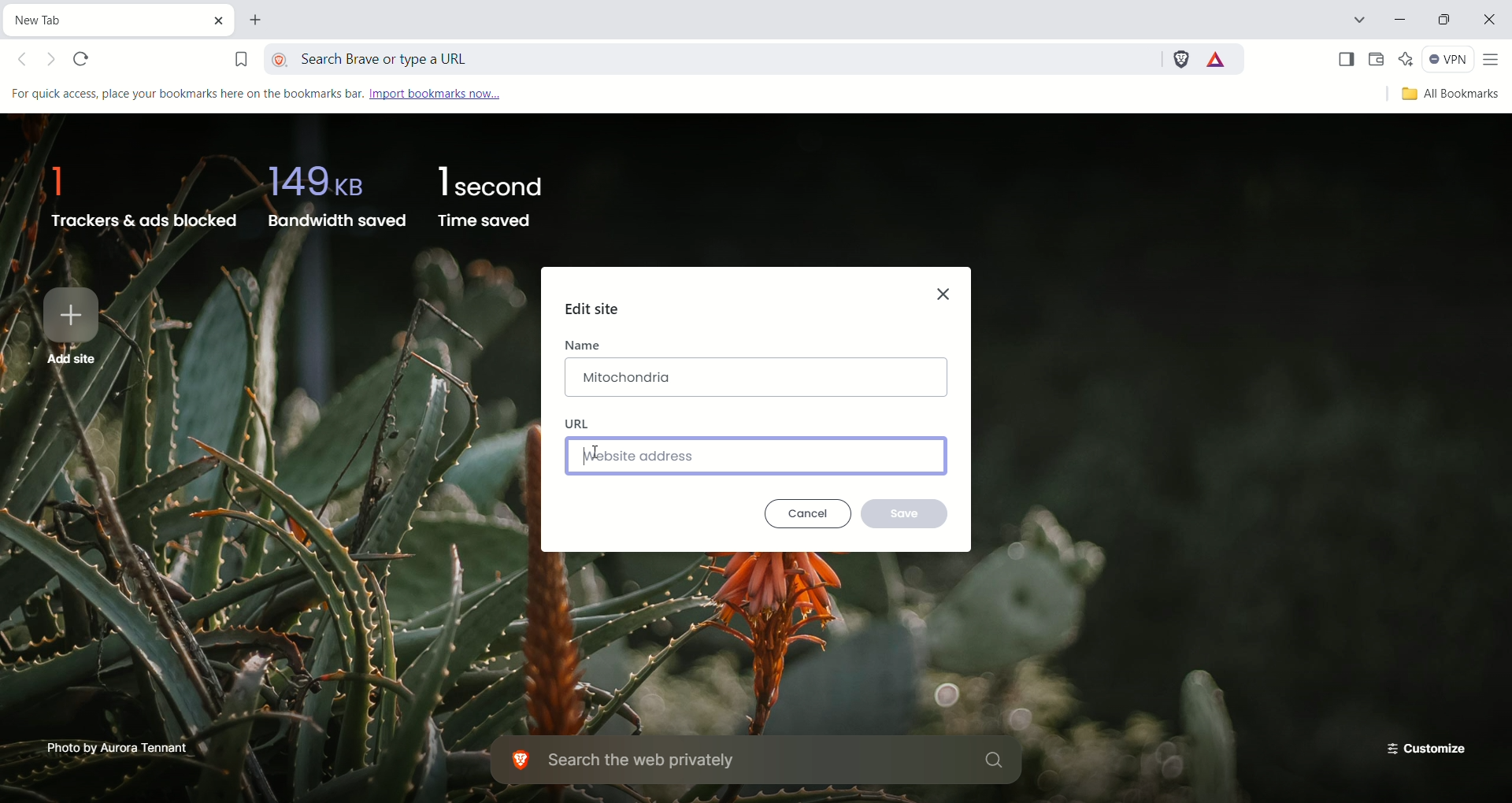 This screenshot has height=803, width=1512. Describe the element at coordinates (223, 20) in the screenshot. I see `close current tab` at that location.